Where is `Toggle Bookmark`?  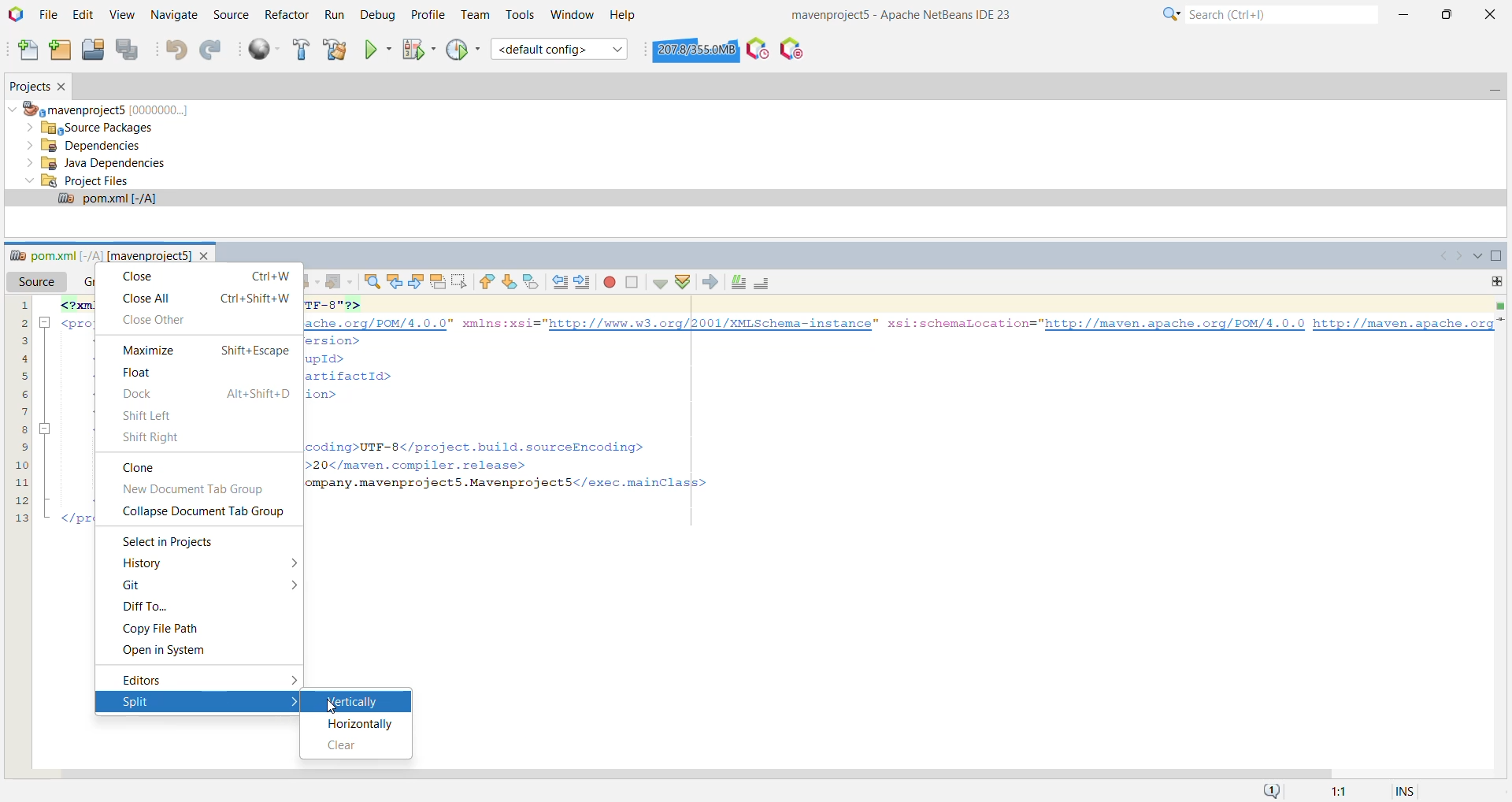 Toggle Bookmark is located at coordinates (532, 283).